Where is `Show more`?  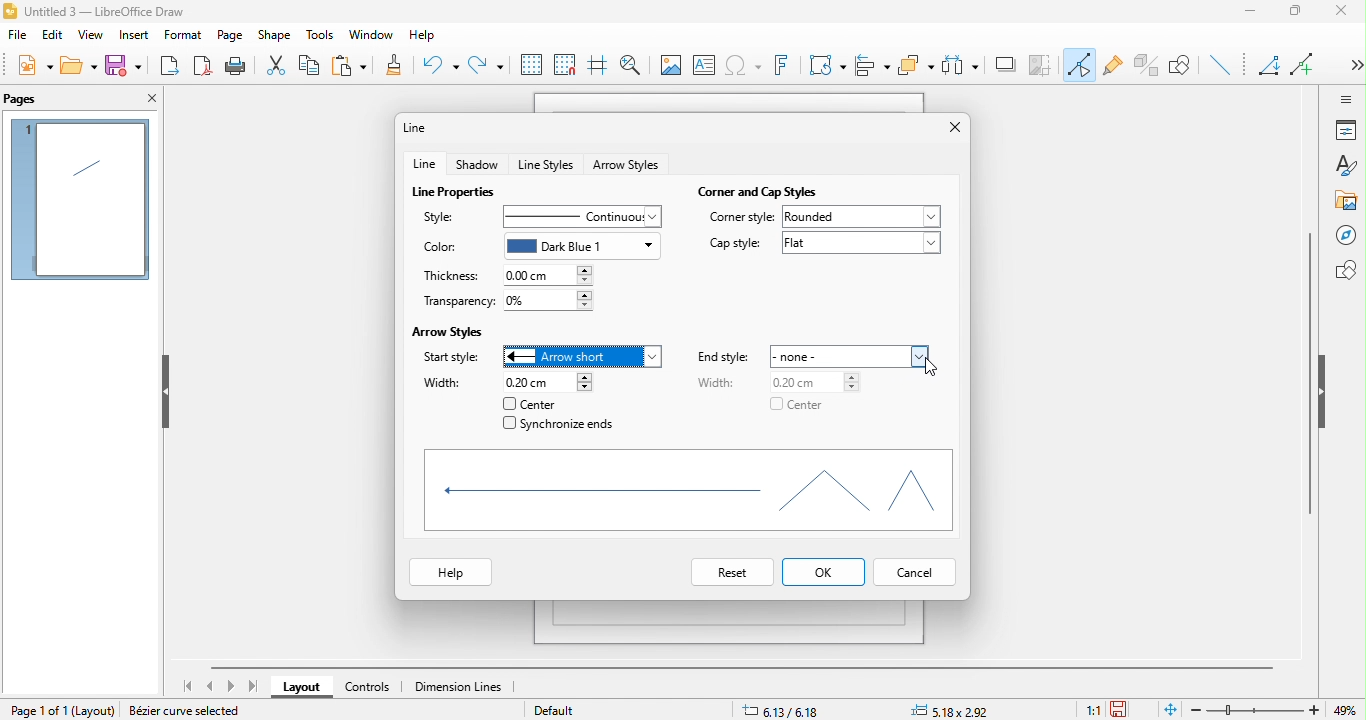
Show more is located at coordinates (1349, 58).